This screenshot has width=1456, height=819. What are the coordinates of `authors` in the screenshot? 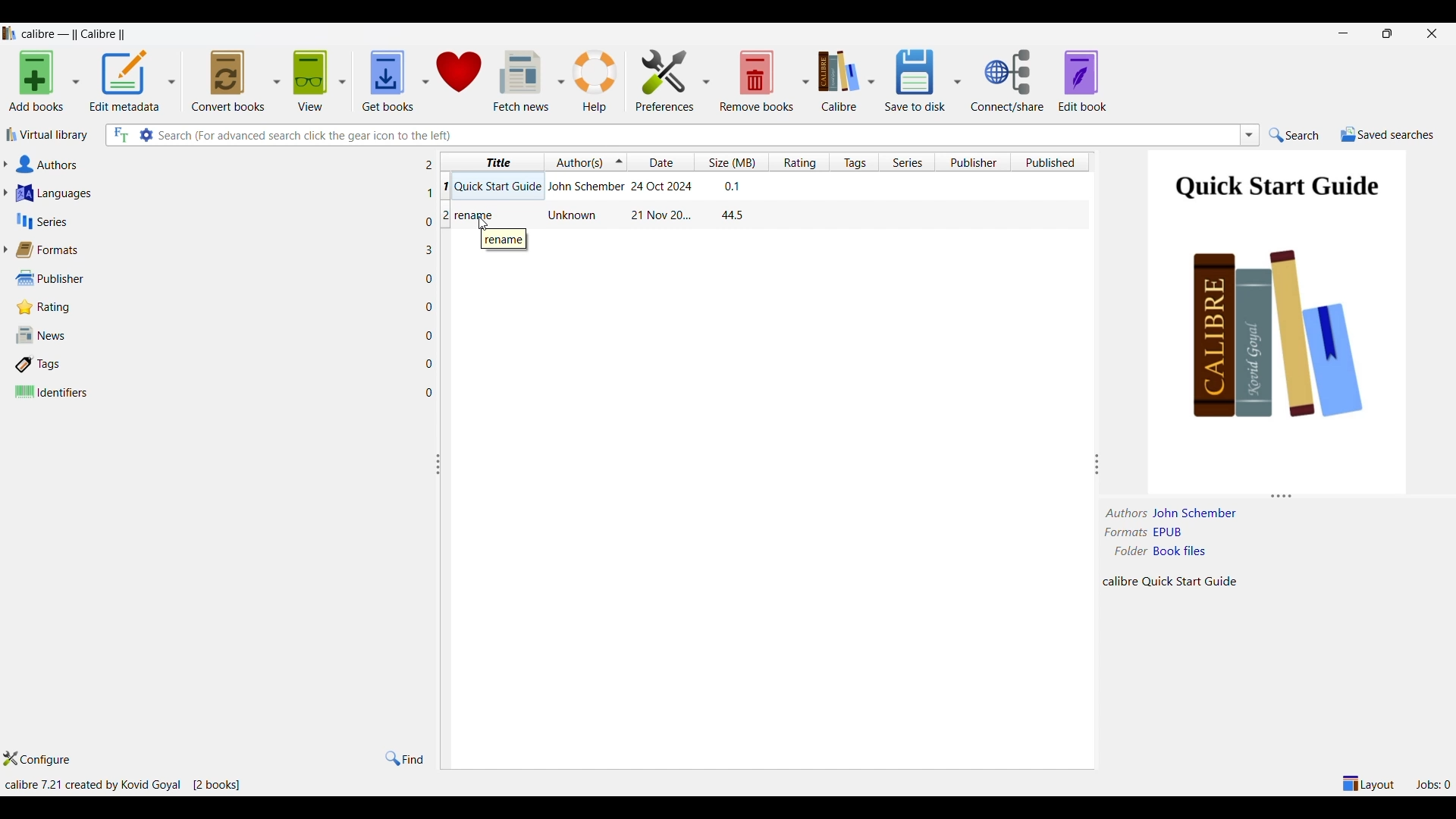 It's located at (1126, 514).